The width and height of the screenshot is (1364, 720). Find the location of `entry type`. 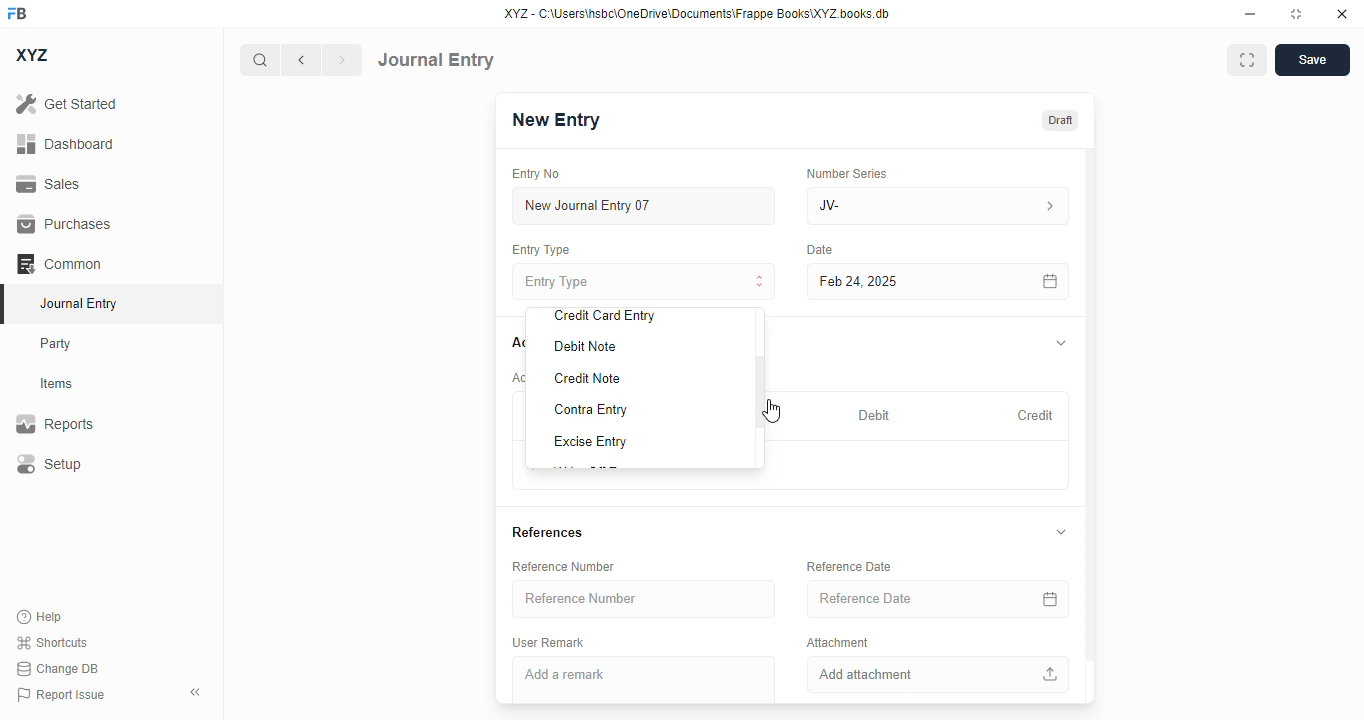

entry type is located at coordinates (643, 280).